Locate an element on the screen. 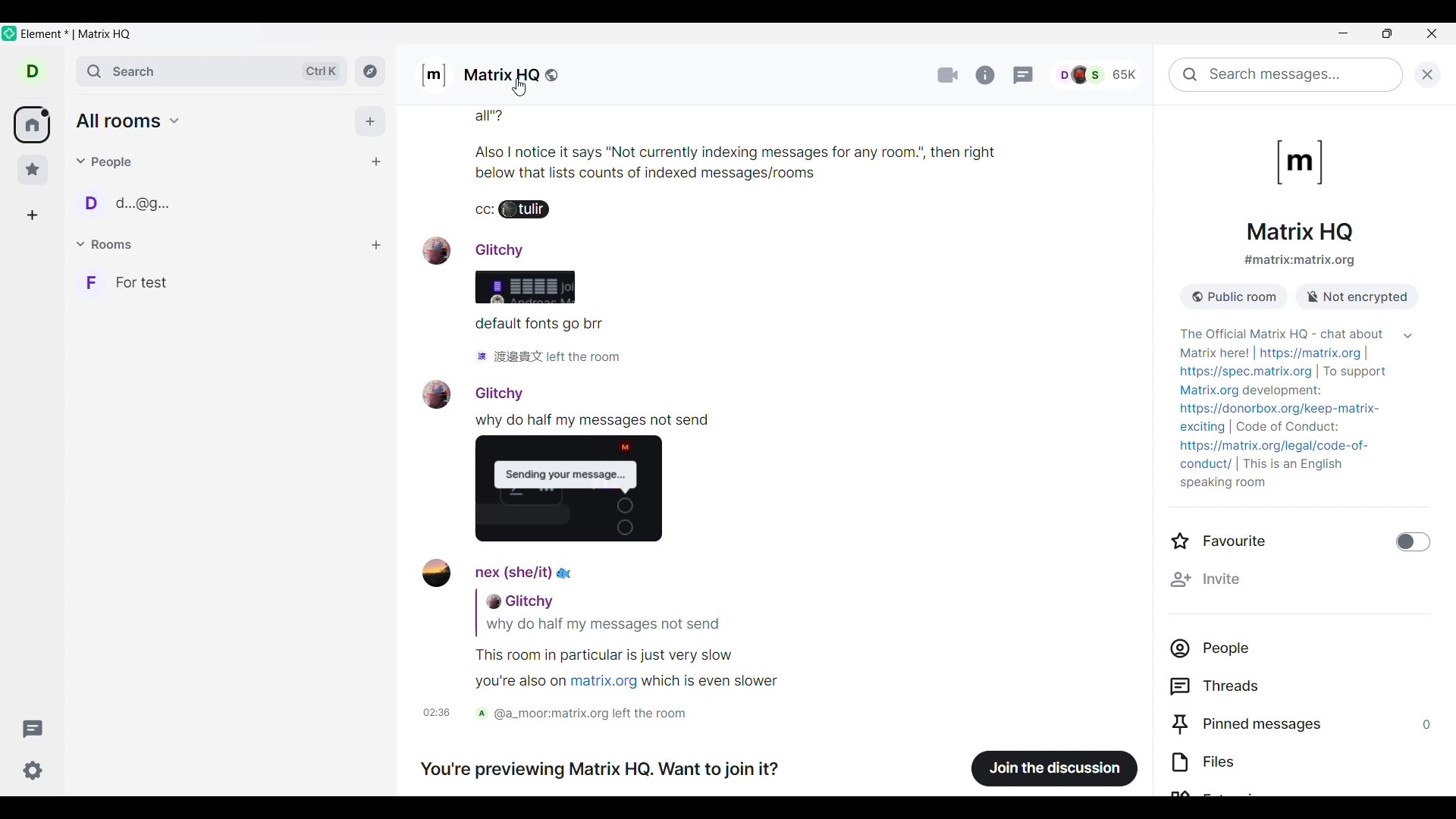 The width and height of the screenshot is (1456, 819). Video call is located at coordinates (946, 74).